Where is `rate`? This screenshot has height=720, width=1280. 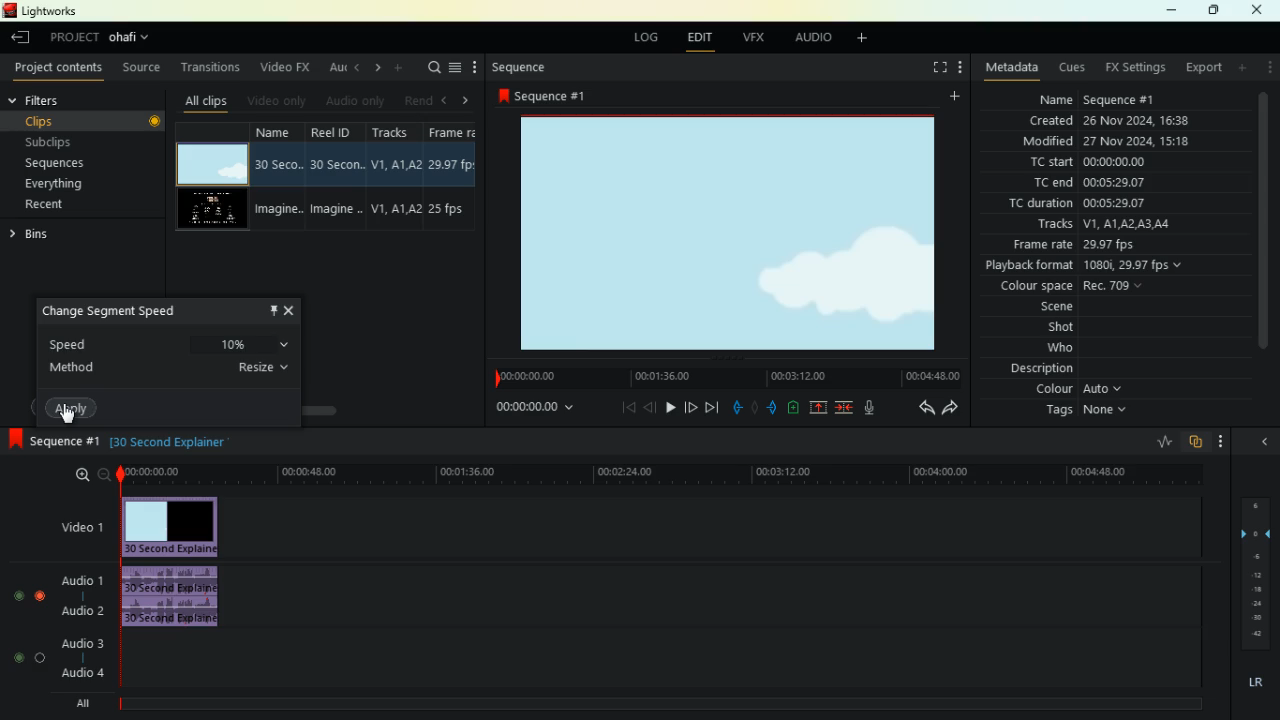
rate is located at coordinates (1157, 443).